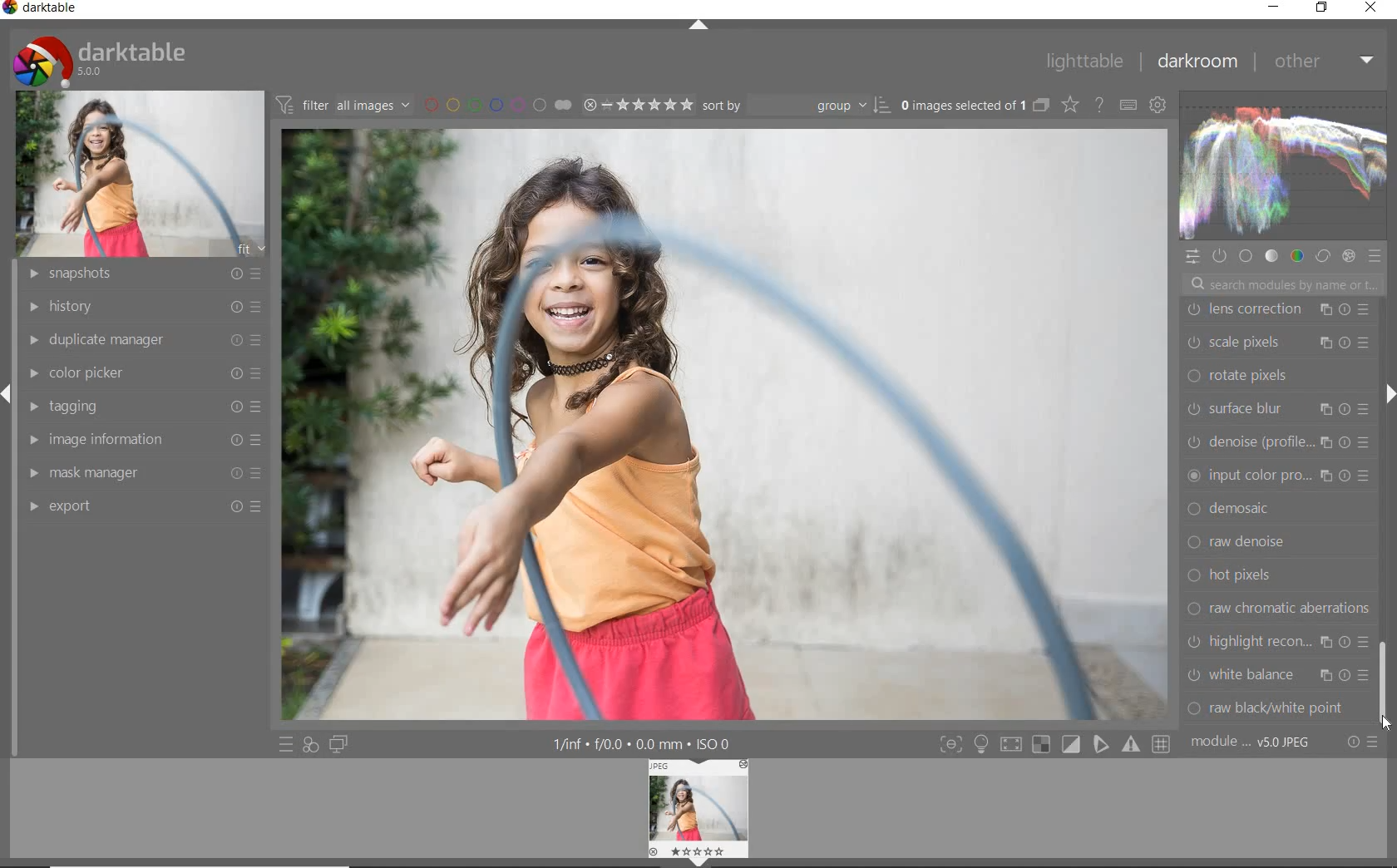 This screenshot has width=1397, height=868. I want to click on image information, so click(142, 439).